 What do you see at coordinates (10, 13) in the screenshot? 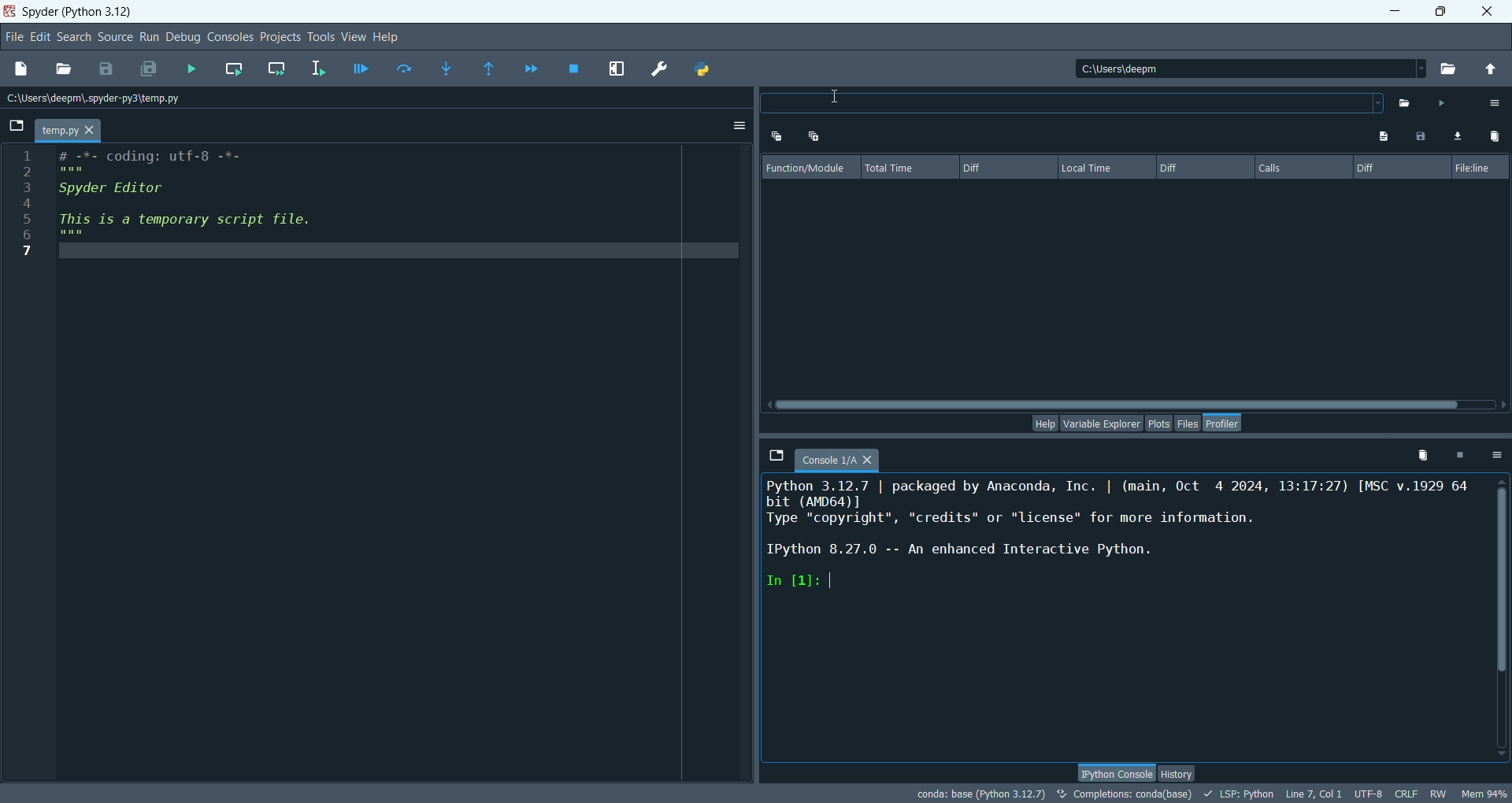
I see `logo` at bounding box center [10, 13].